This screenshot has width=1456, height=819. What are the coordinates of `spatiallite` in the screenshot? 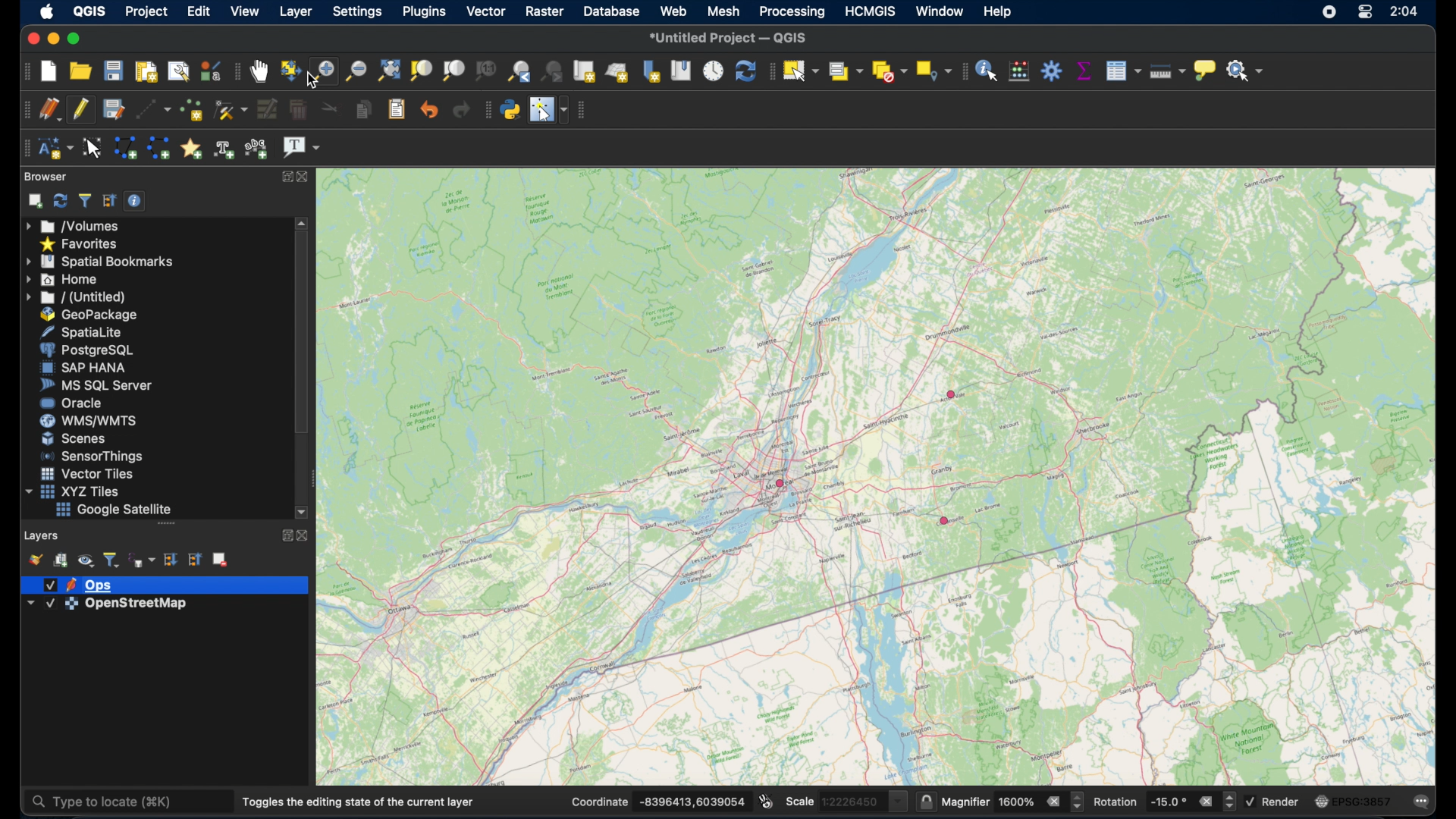 It's located at (78, 331).